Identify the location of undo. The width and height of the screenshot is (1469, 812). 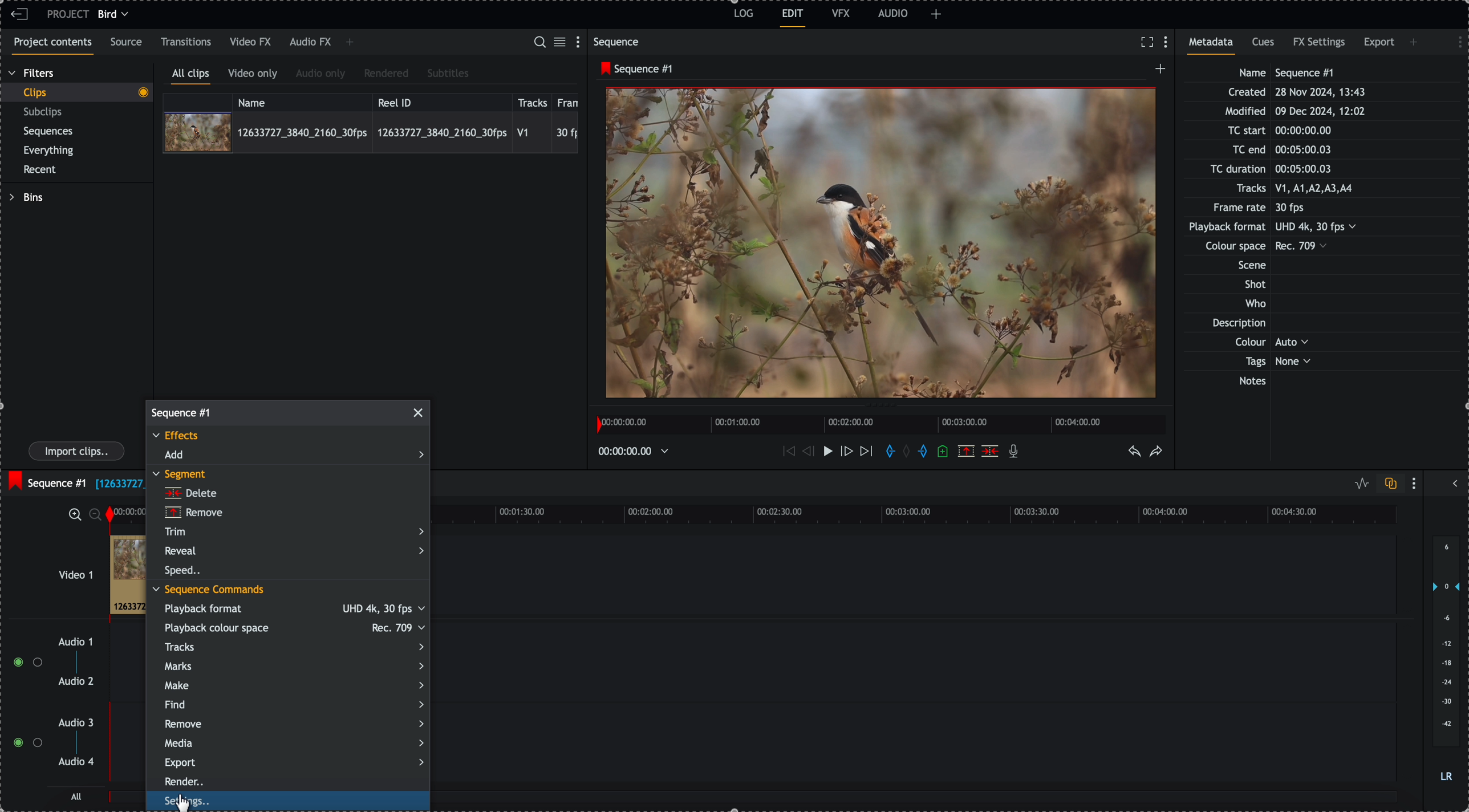
(1135, 452).